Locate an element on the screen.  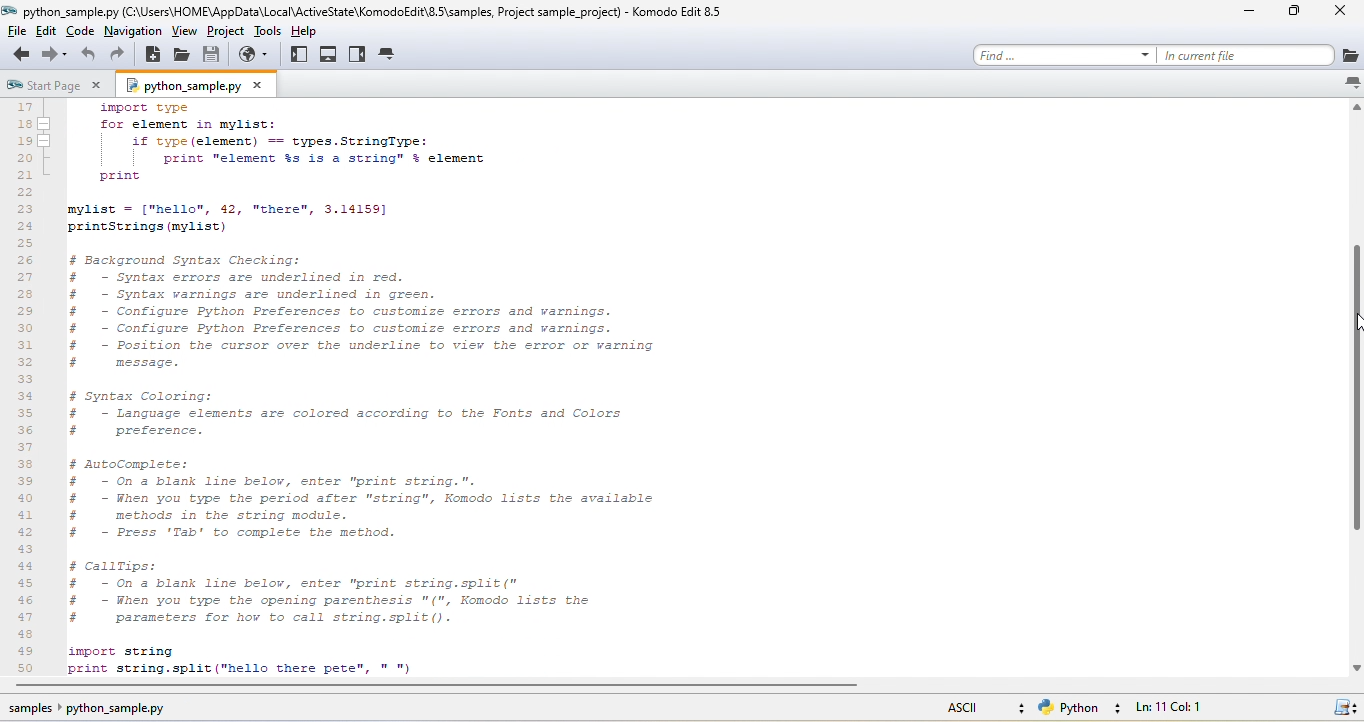
syntax checking is located at coordinates (1344, 705).